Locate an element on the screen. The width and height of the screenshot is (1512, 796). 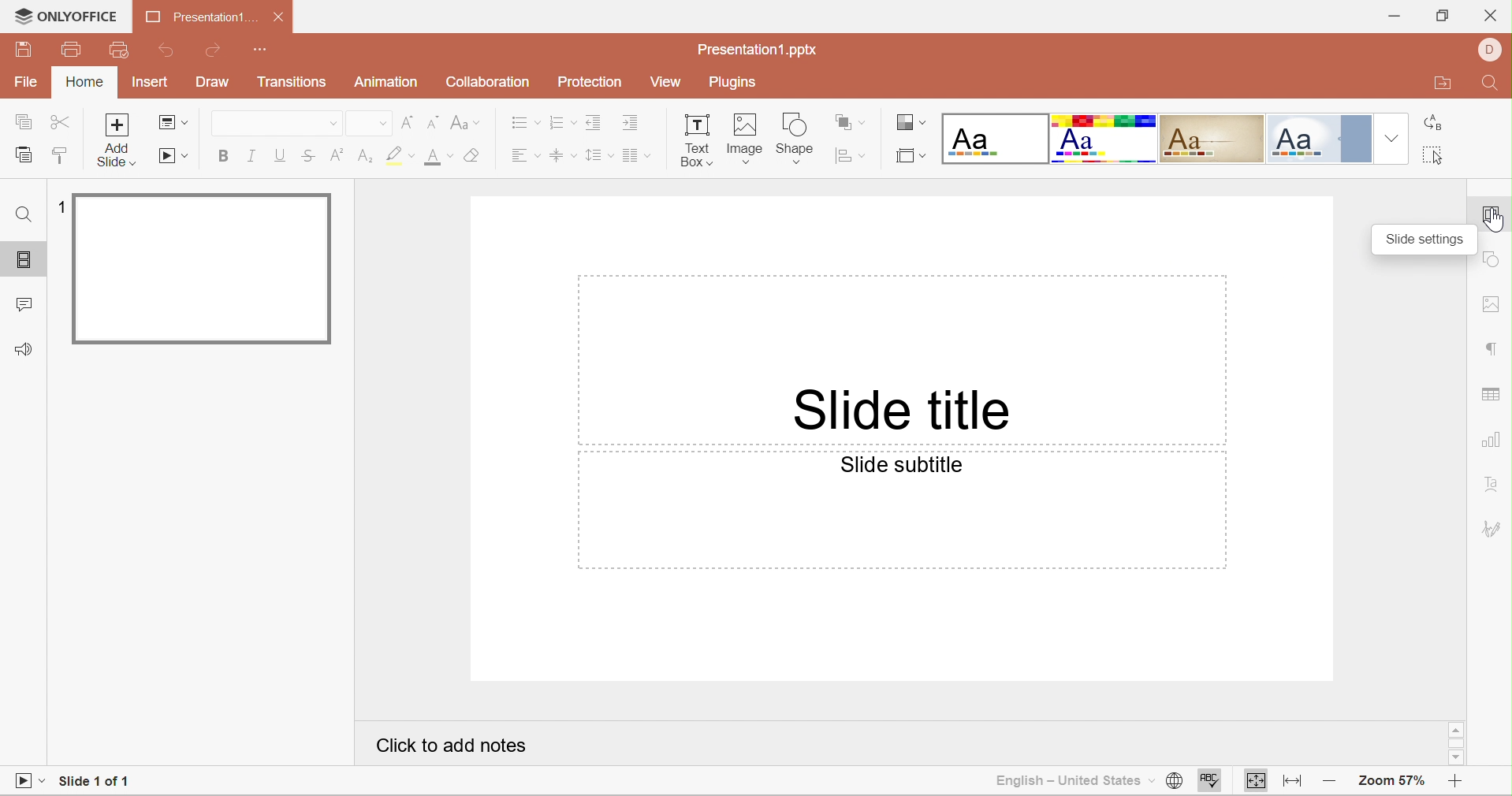
image settings is located at coordinates (1494, 305).